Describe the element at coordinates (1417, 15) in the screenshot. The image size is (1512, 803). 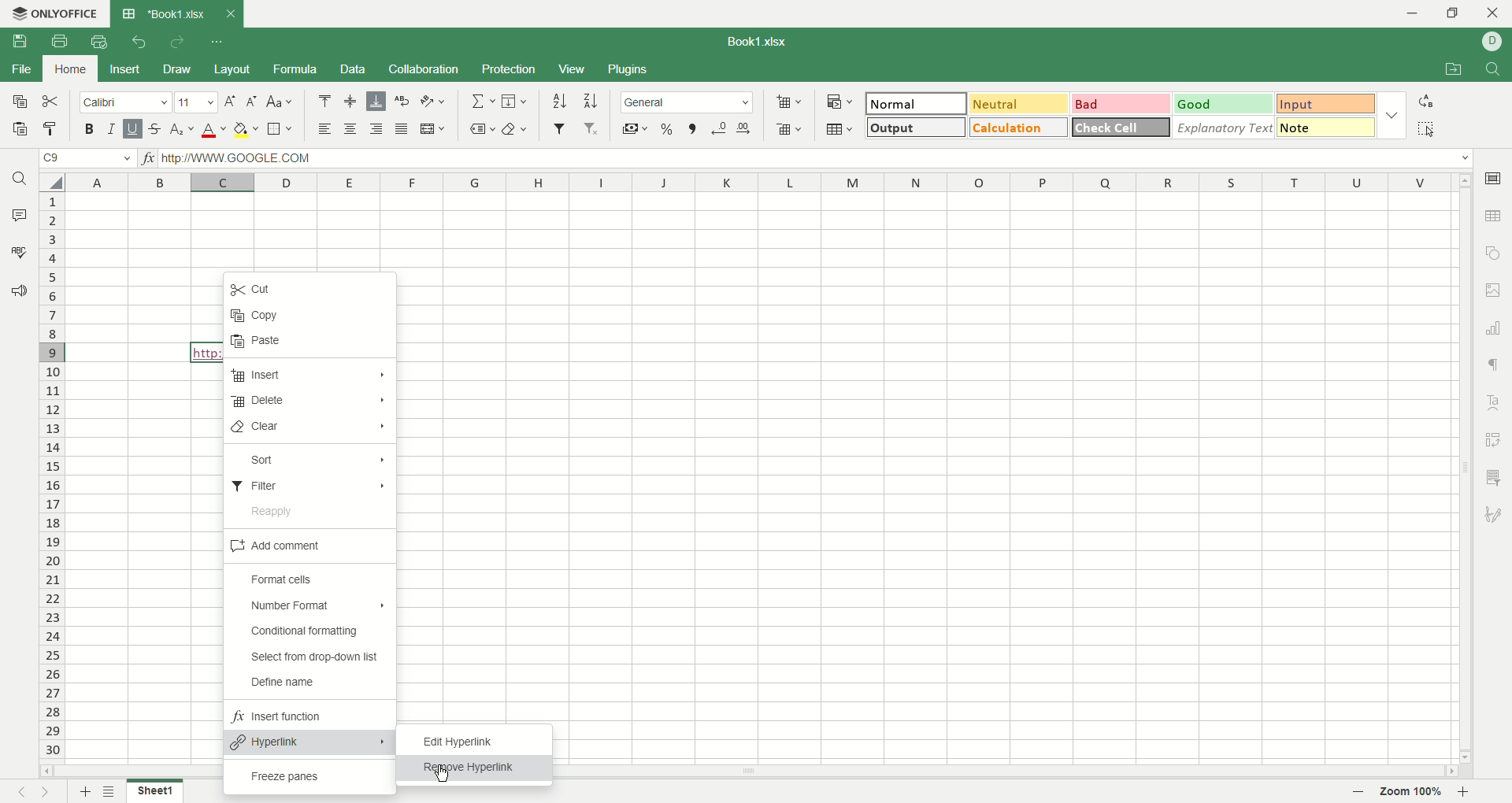
I see `minimize` at that location.